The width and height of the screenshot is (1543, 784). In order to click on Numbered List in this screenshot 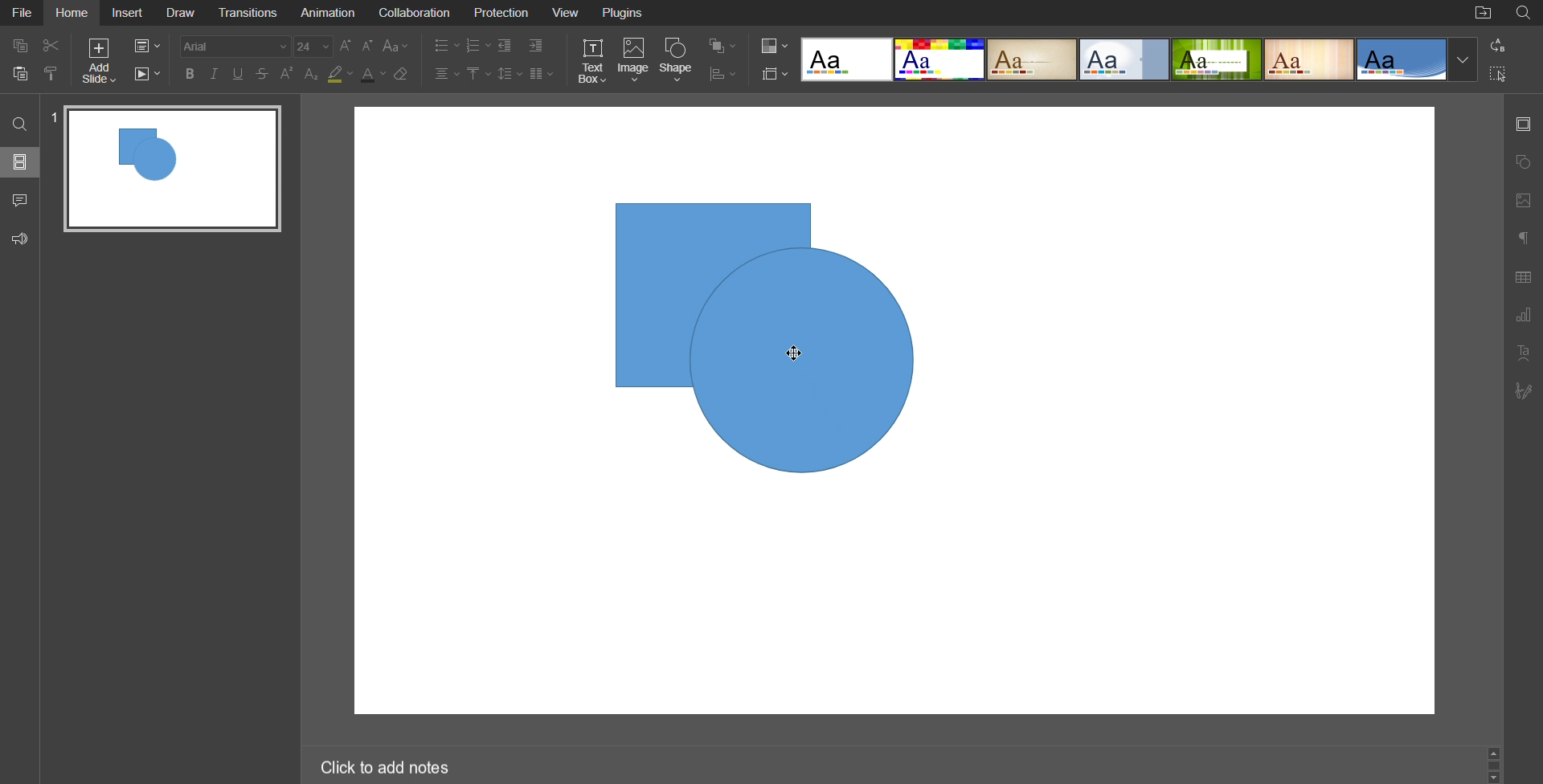, I will do `click(478, 45)`.